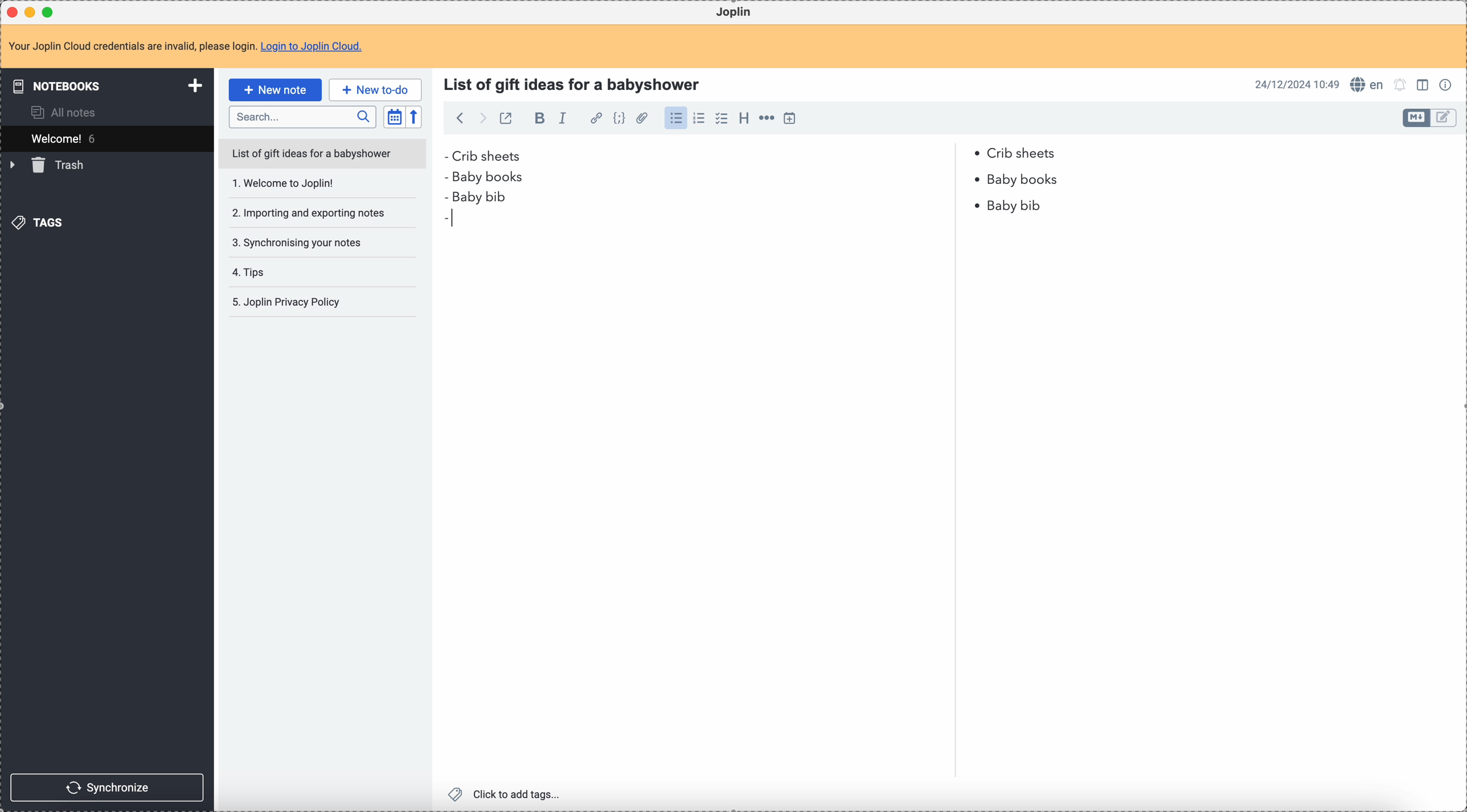 This screenshot has width=1467, height=812. I want to click on minimize Joplin, so click(32, 12).